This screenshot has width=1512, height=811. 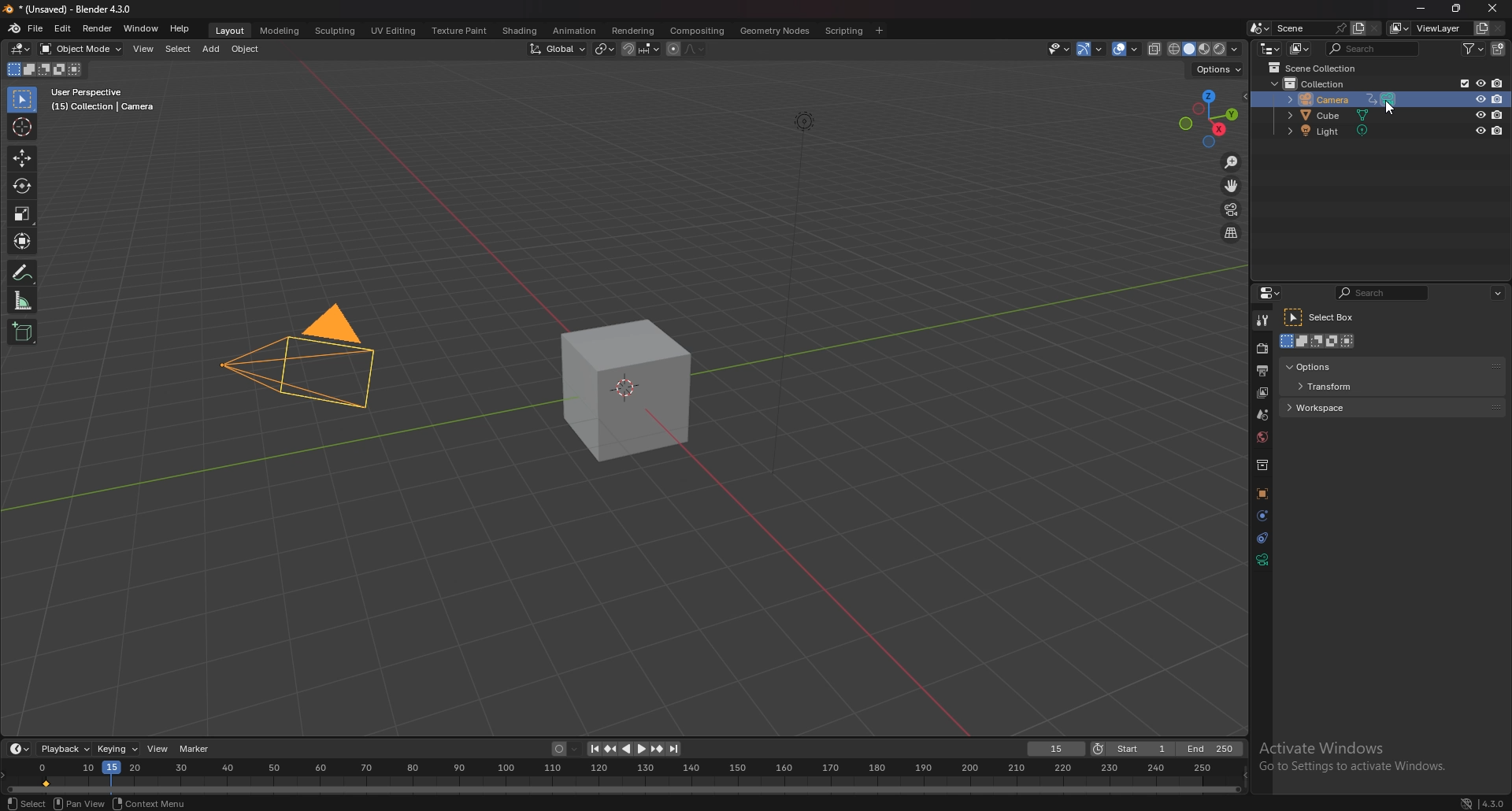 What do you see at coordinates (1499, 83) in the screenshot?
I see `disable in renders` at bounding box center [1499, 83].